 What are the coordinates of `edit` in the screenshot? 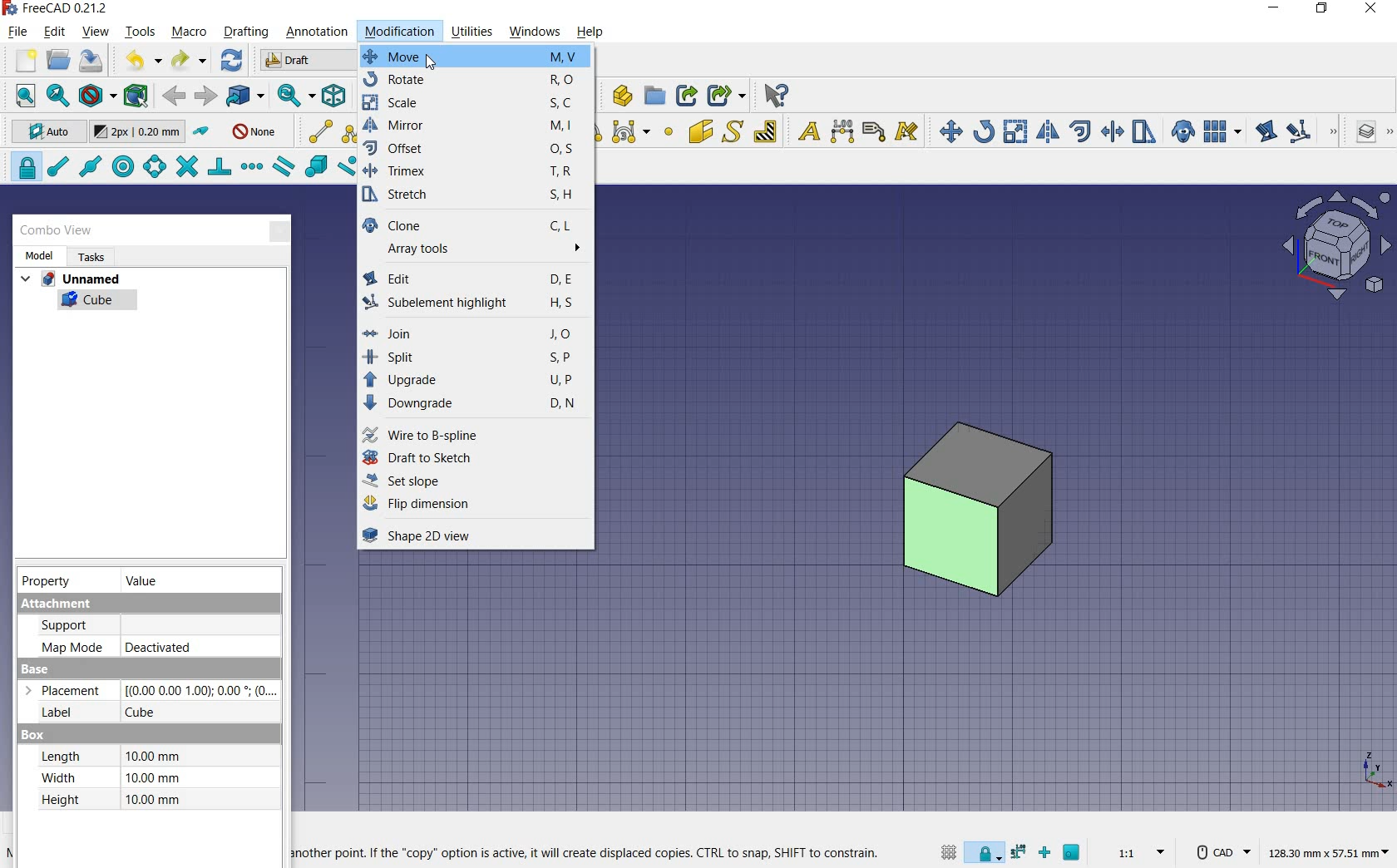 It's located at (475, 278).